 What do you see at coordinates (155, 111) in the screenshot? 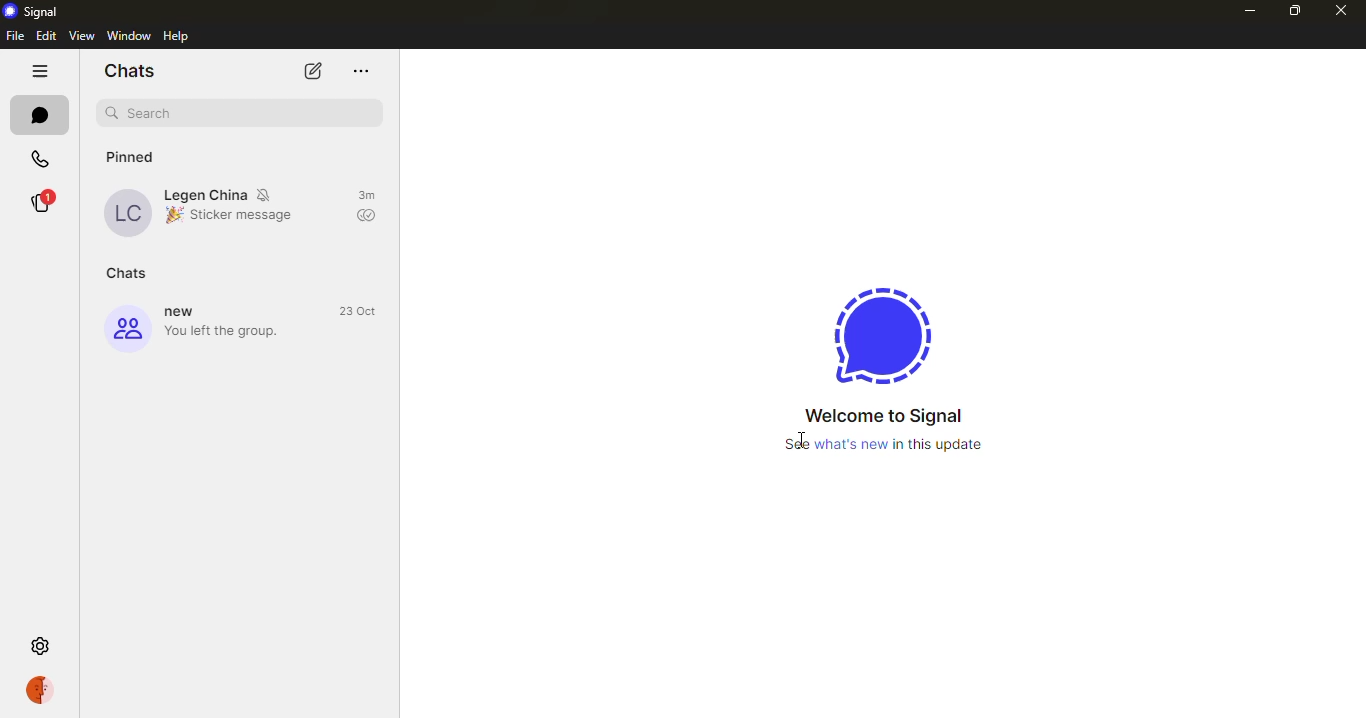
I see `search` at bounding box center [155, 111].